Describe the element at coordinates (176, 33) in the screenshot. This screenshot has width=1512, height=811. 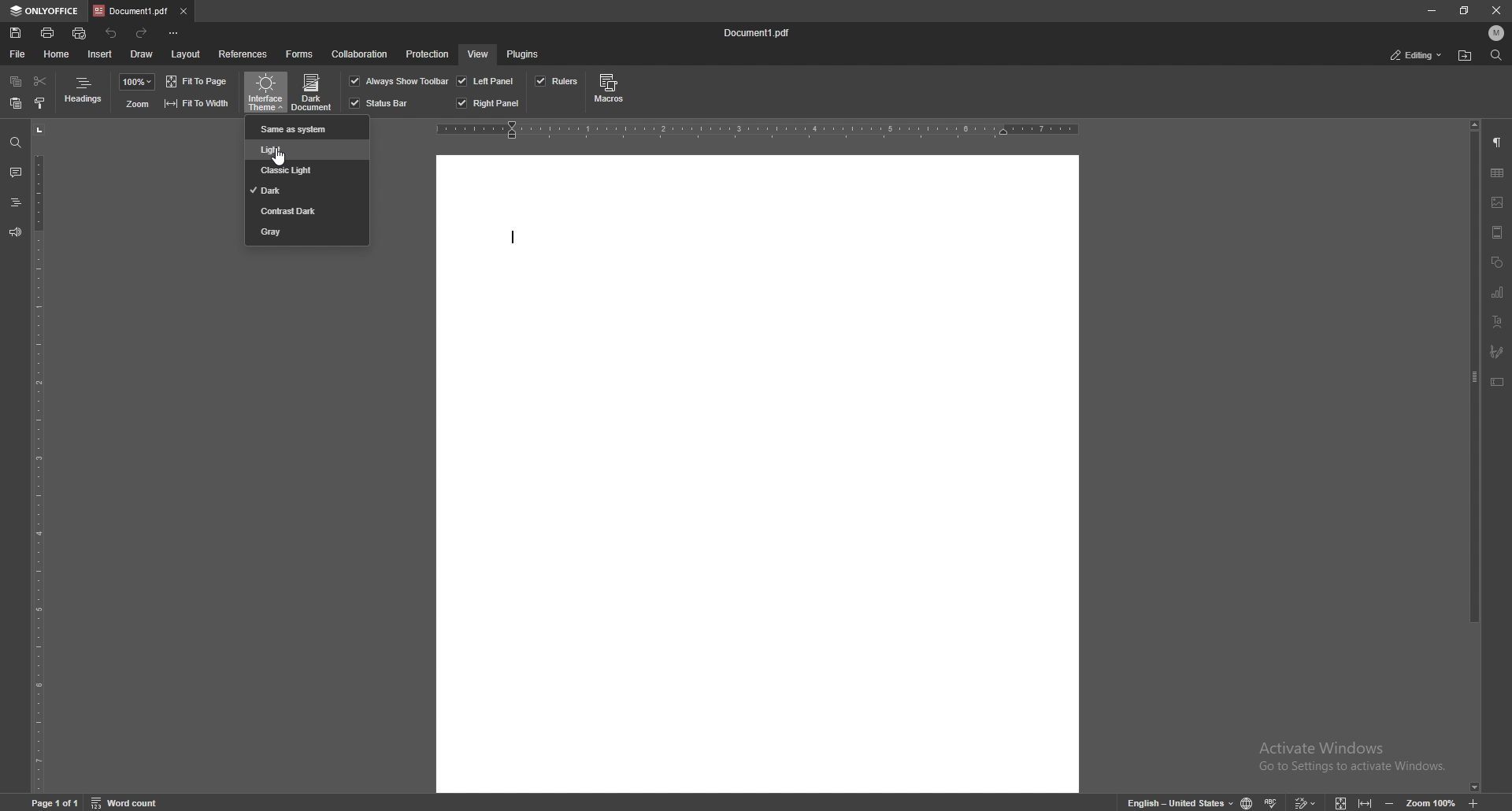
I see `customize toolbar` at that location.